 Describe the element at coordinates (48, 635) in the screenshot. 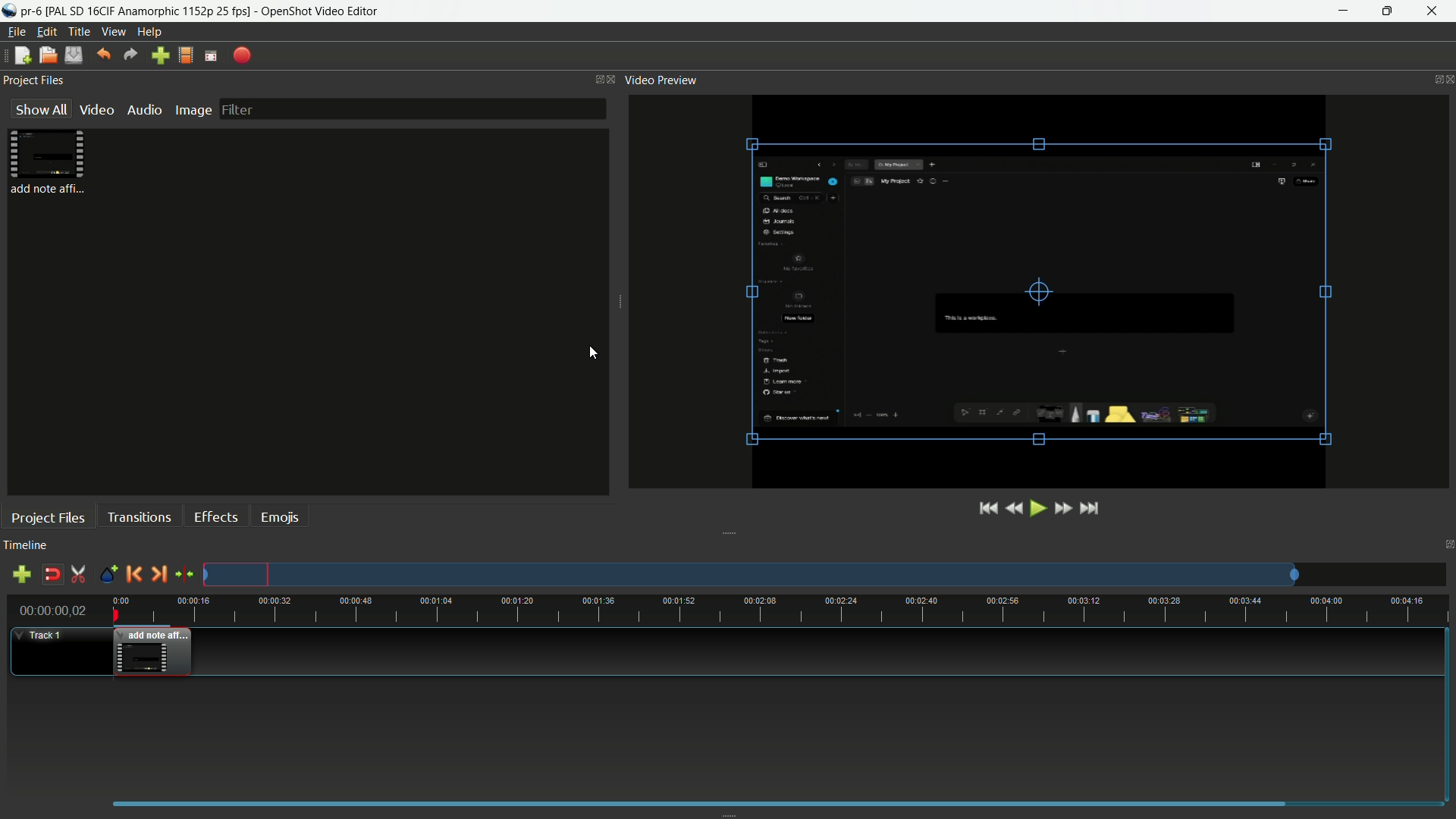

I see `track-1` at that location.